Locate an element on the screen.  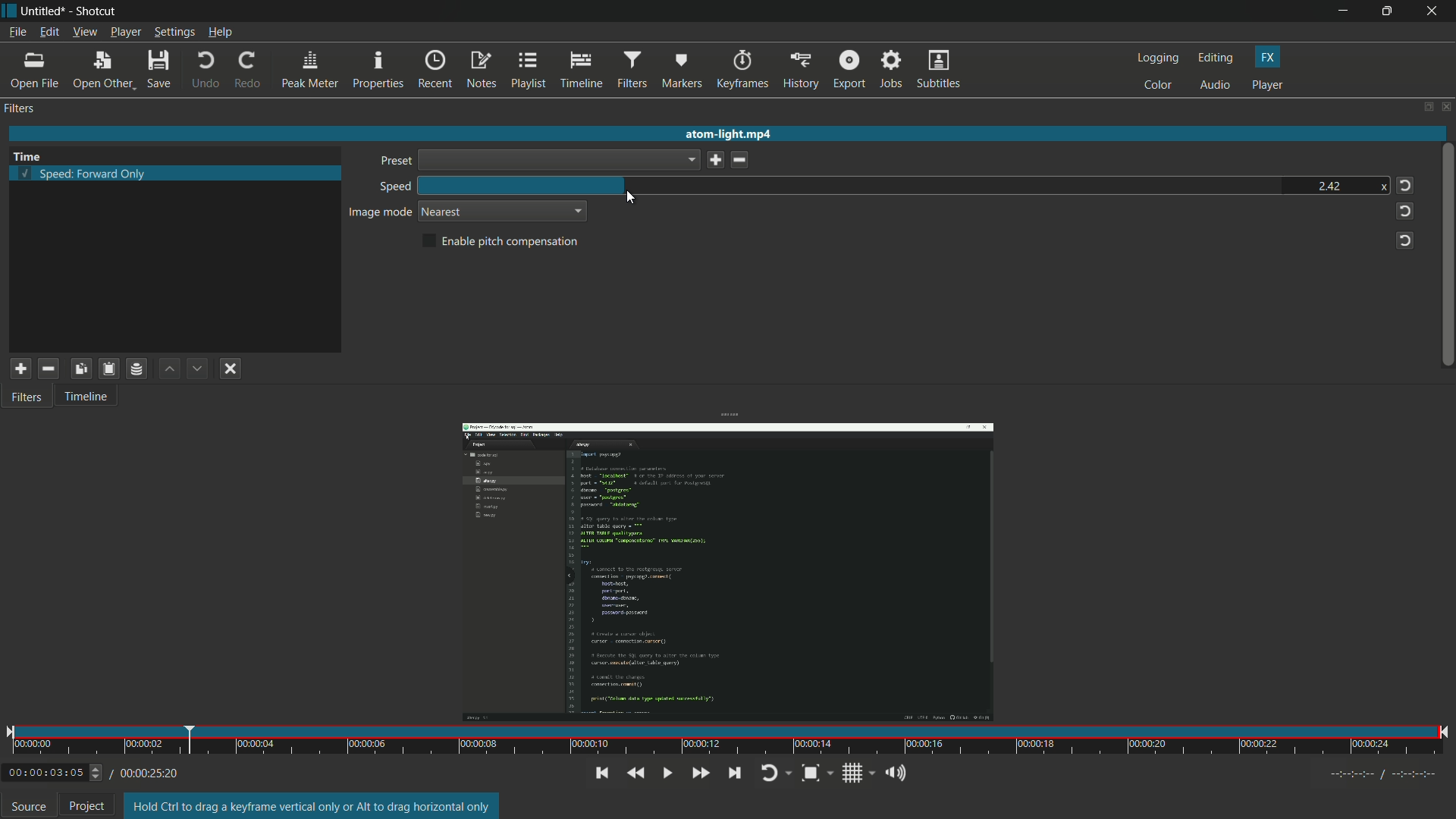
image mode is located at coordinates (380, 213).